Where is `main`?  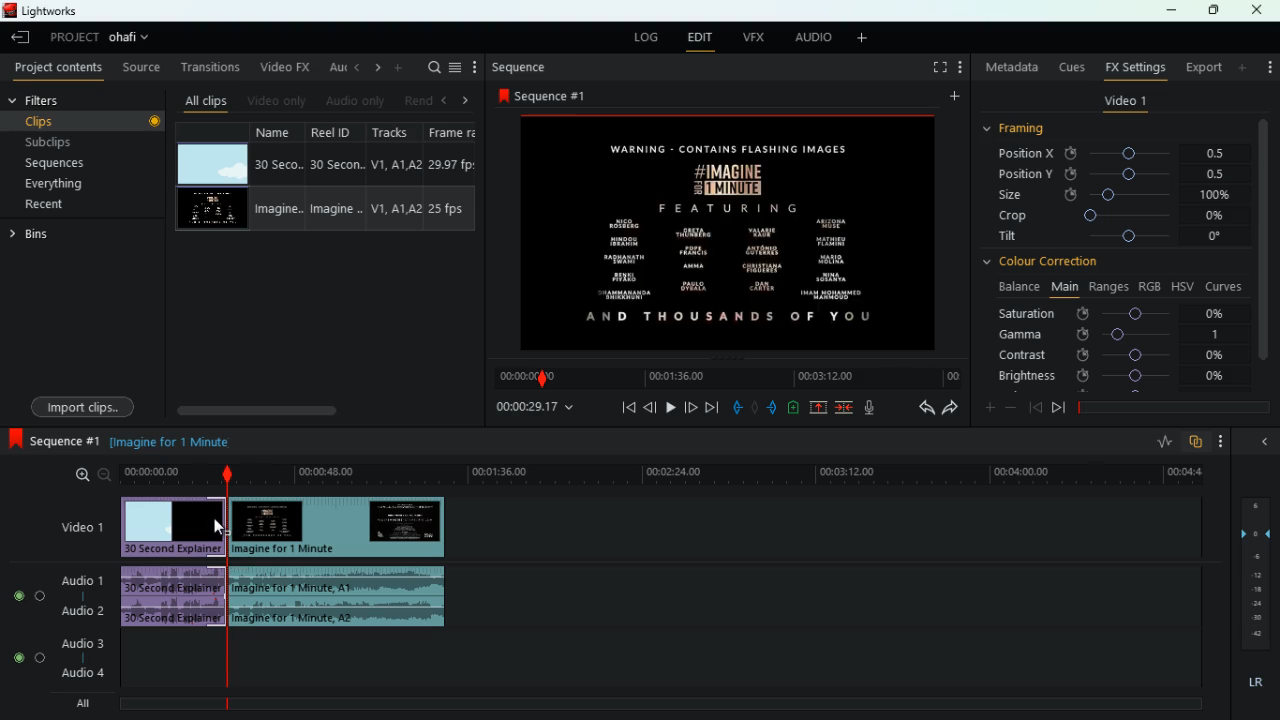 main is located at coordinates (1064, 285).